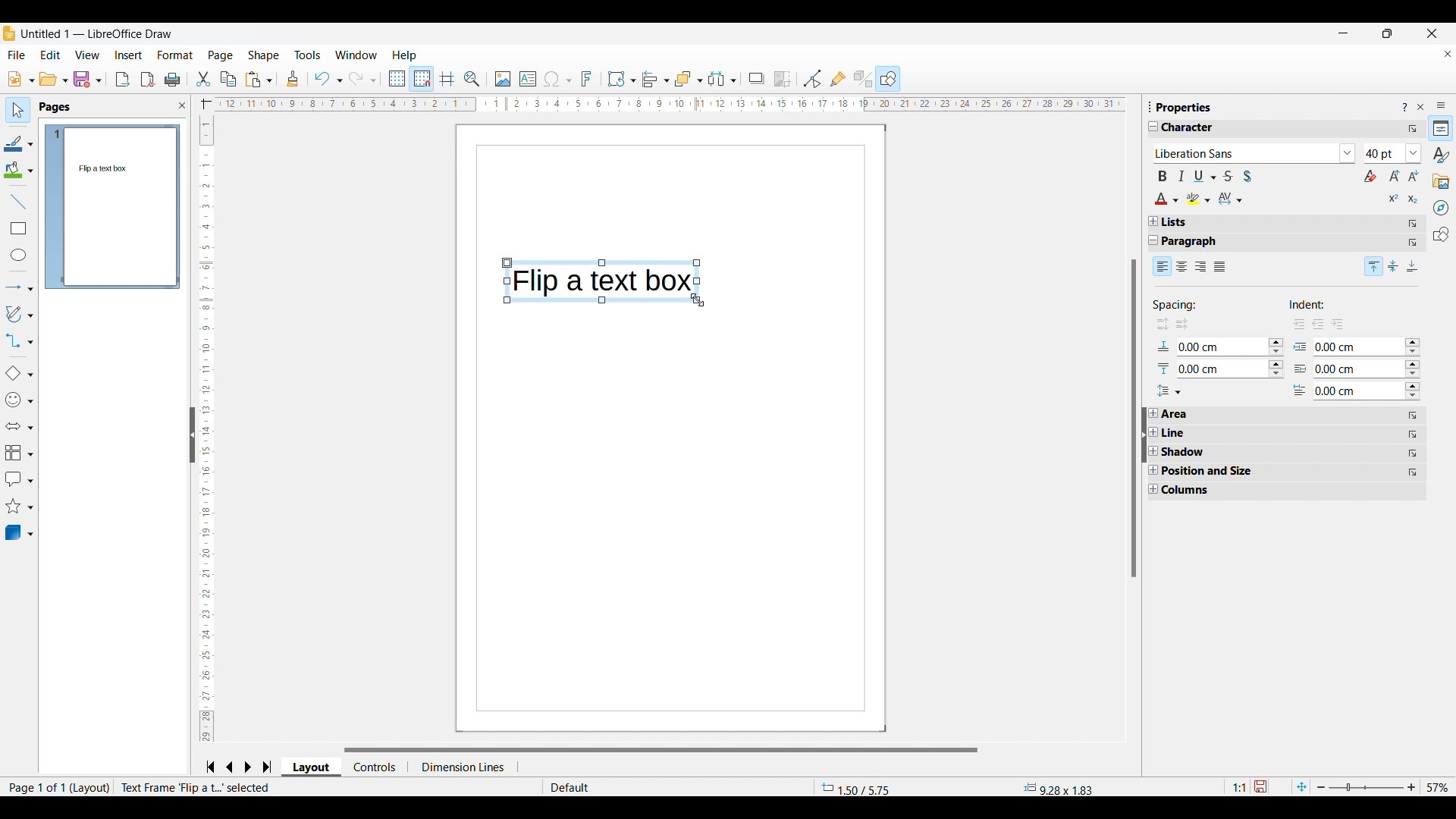 This screenshot has height=819, width=1456. What do you see at coordinates (655, 80) in the screenshot?
I see `Alignment options` at bounding box center [655, 80].